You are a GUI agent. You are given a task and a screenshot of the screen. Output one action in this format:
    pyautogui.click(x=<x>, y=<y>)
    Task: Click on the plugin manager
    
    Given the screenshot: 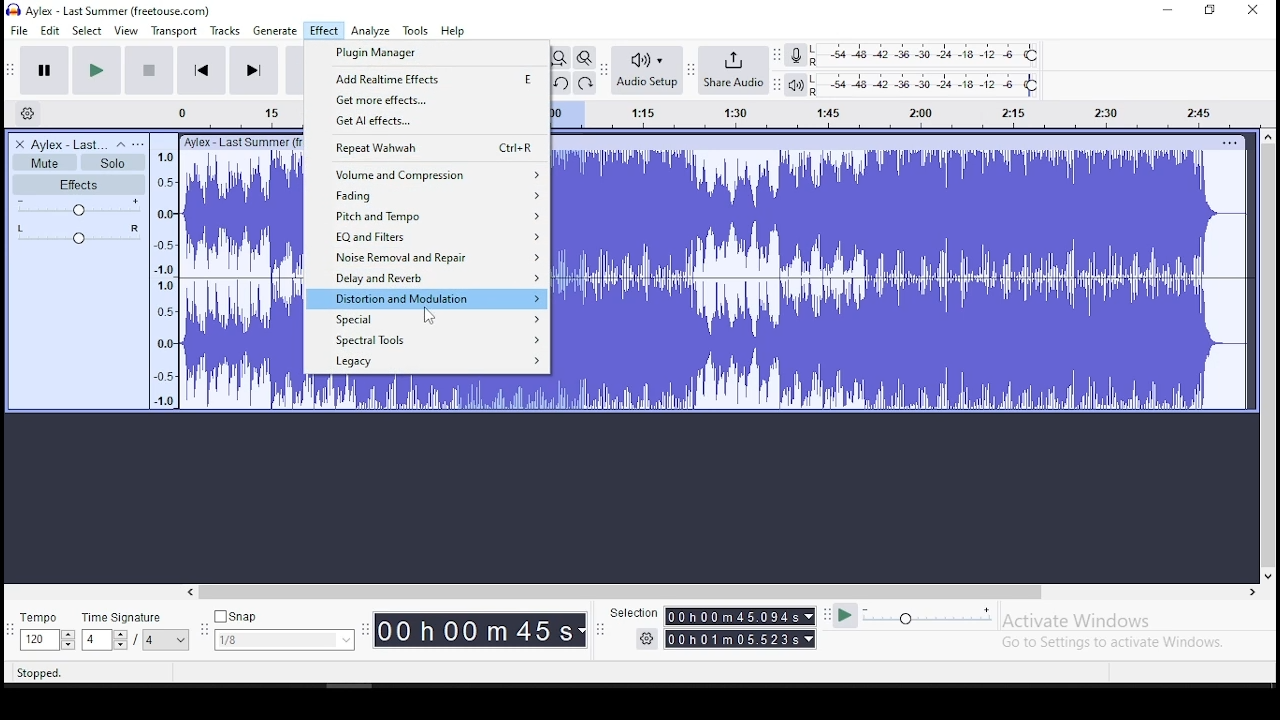 What is the action you would take?
    pyautogui.click(x=429, y=54)
    